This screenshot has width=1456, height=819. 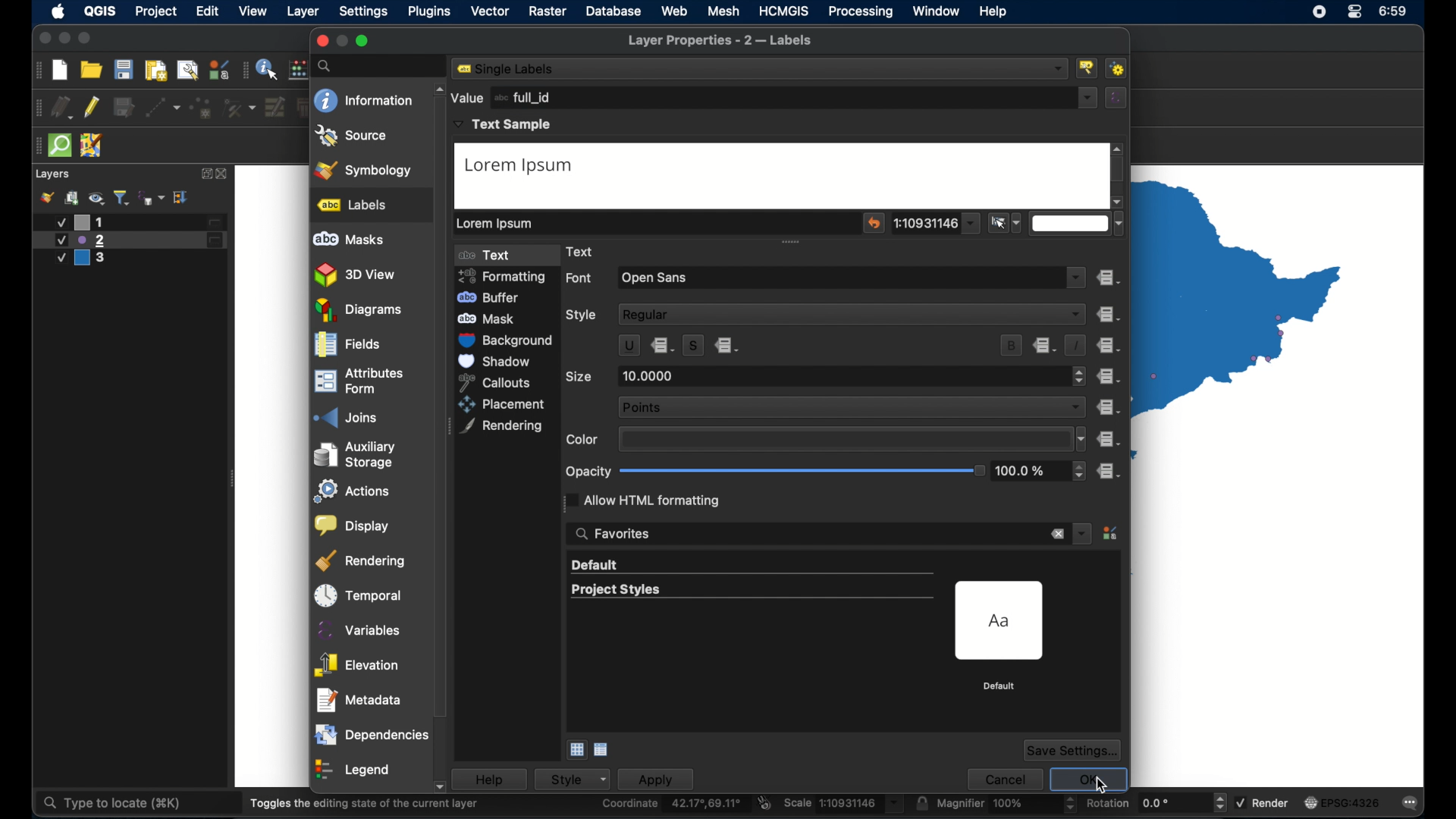 What do you see at coordinates (585, 251) in the screenshot?
I see `text` at bounding box center [585, 251].